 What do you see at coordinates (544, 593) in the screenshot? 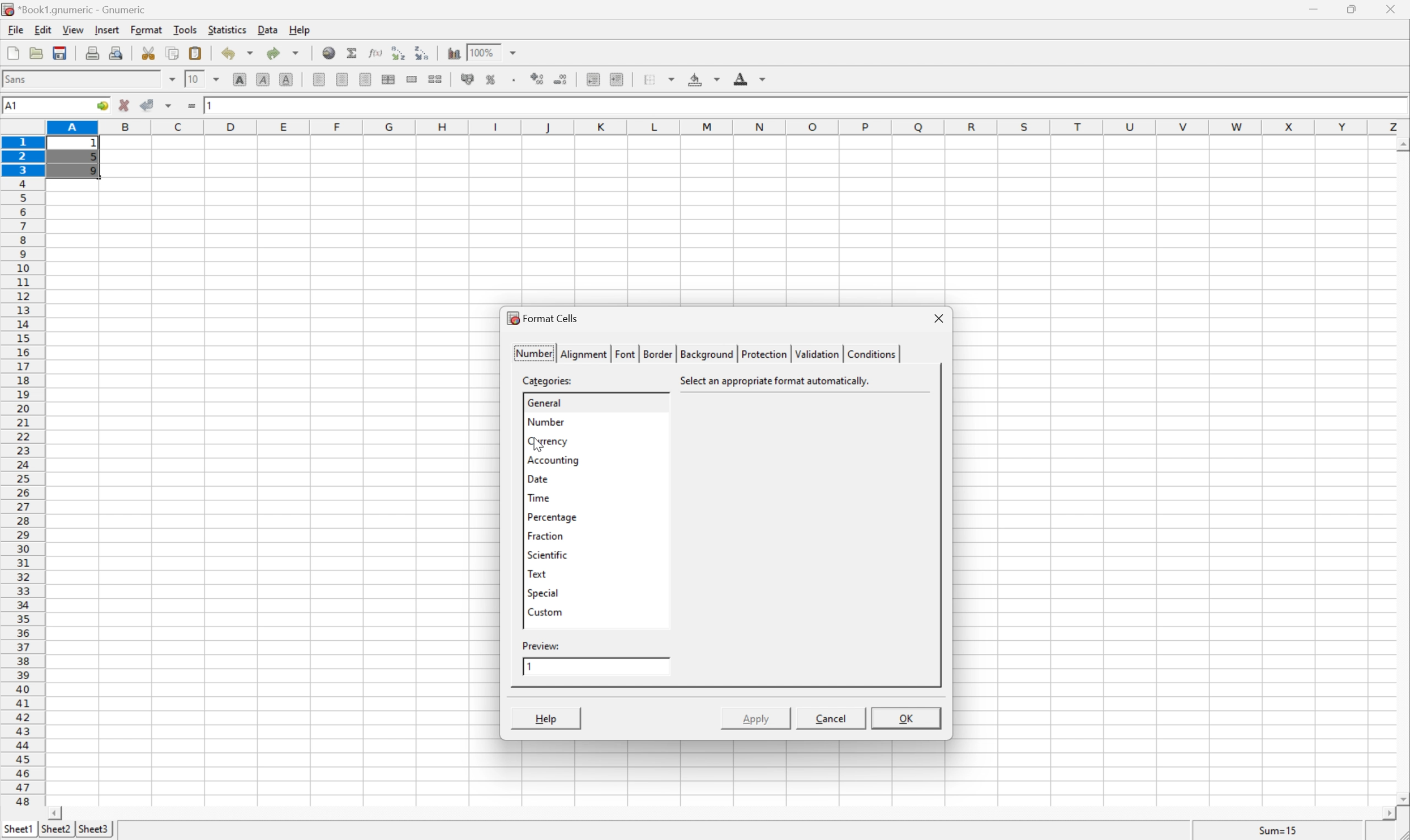
I see `special` at bounding box center [544, 593].